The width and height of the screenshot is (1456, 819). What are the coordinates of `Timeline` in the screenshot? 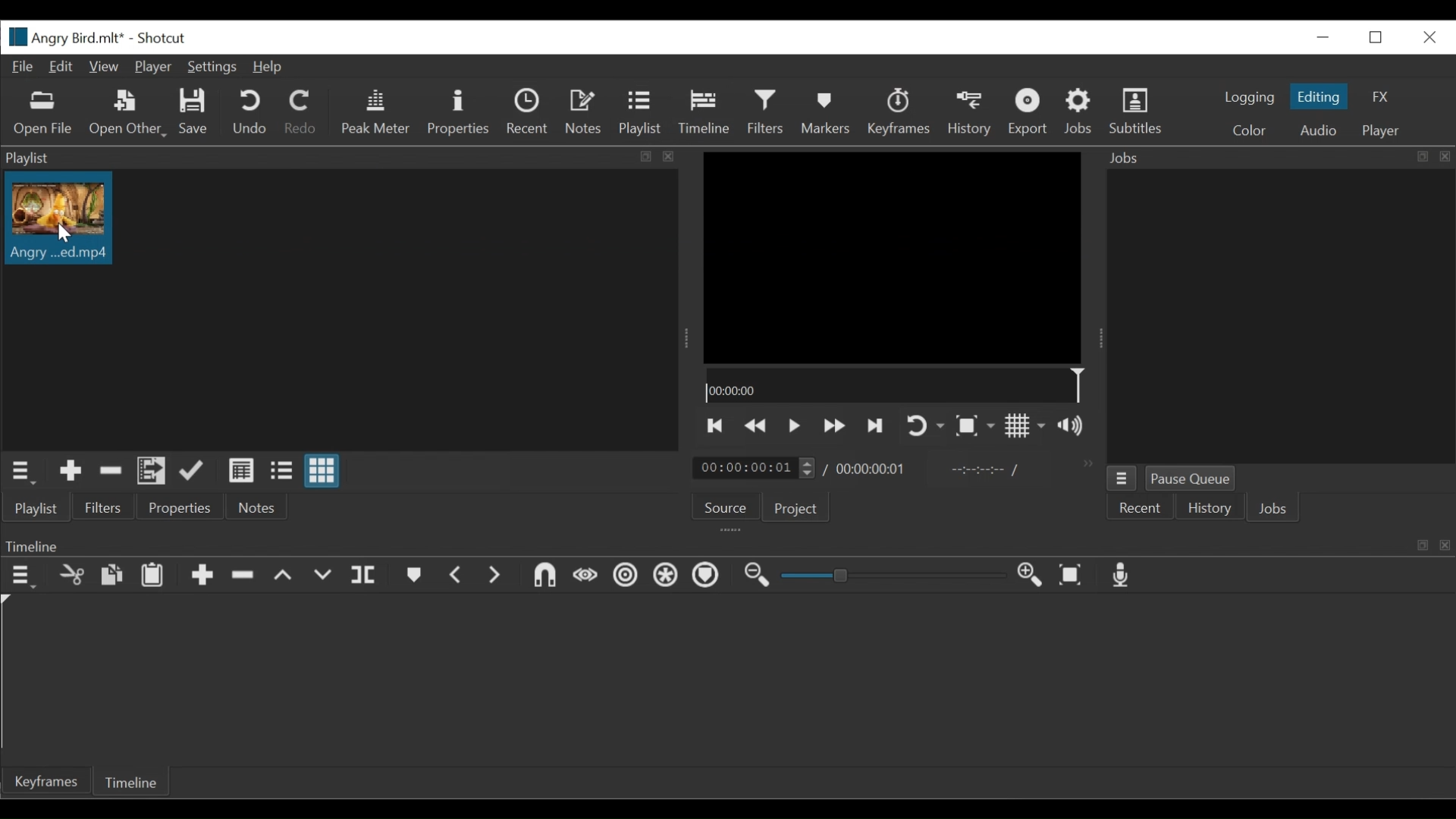 It's located at (897, 388).